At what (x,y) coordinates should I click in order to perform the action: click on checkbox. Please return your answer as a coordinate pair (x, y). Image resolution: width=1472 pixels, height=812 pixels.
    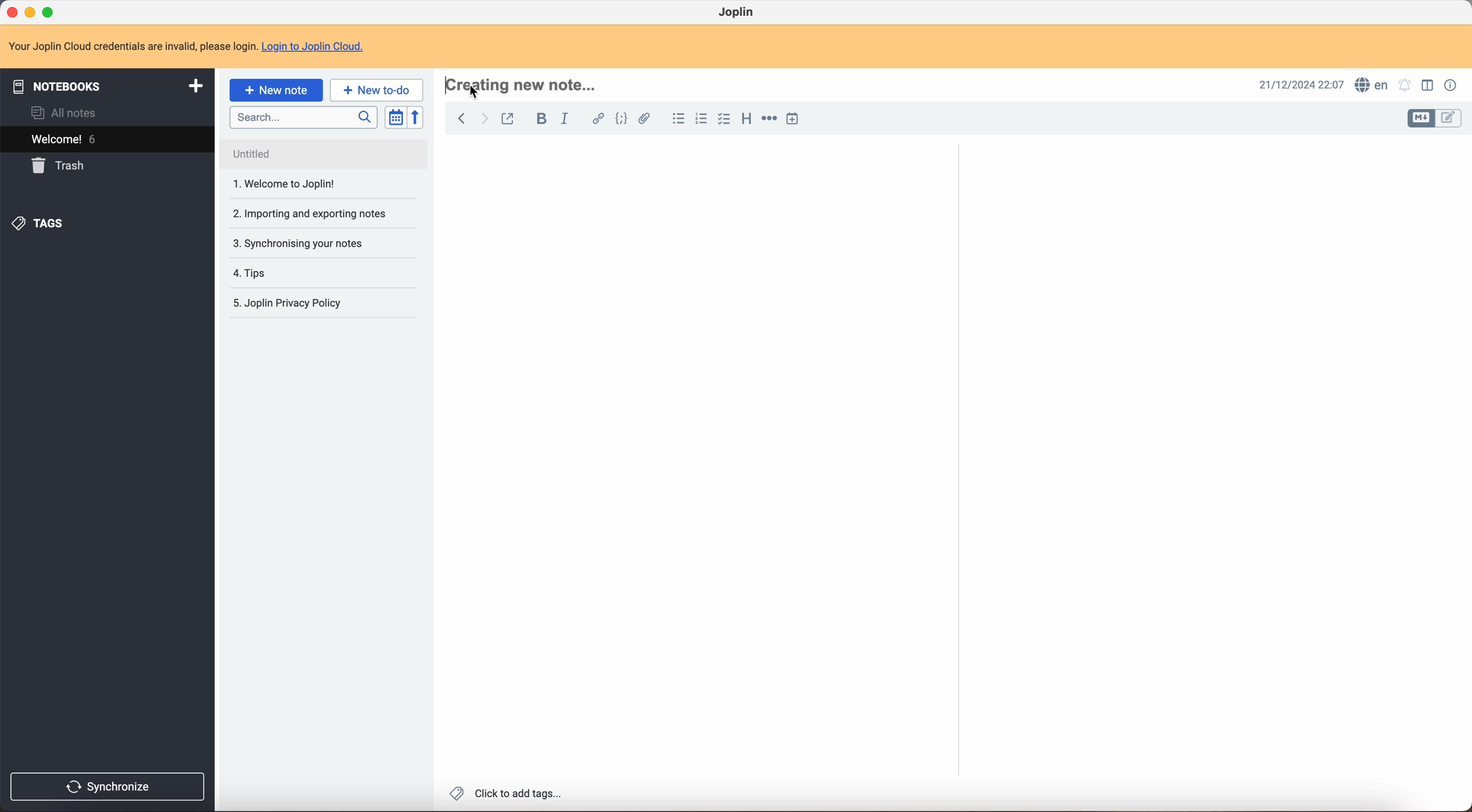
    Looking at the image, I should click on (724, 119).